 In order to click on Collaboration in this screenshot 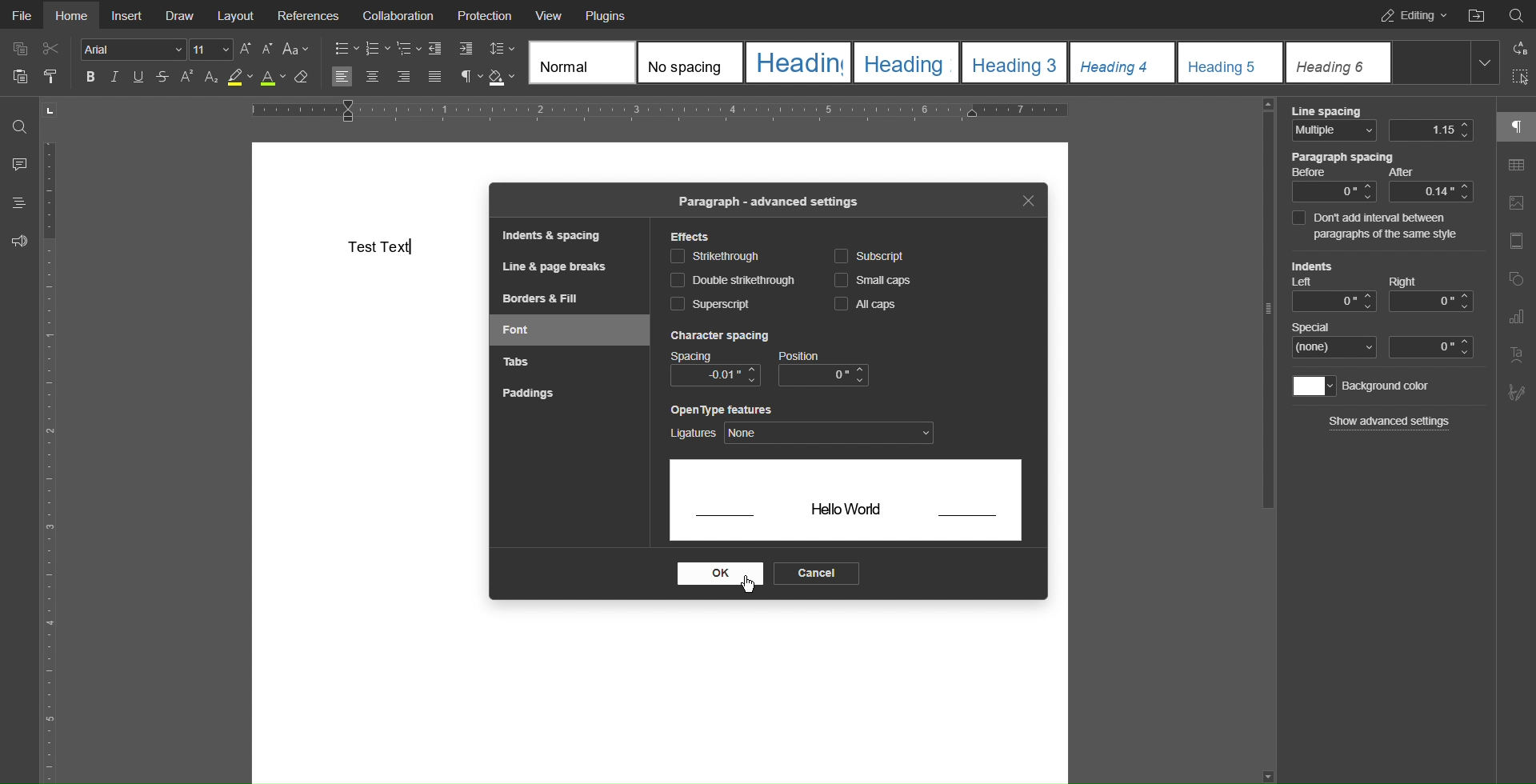, I will do `click(394, 14)`.